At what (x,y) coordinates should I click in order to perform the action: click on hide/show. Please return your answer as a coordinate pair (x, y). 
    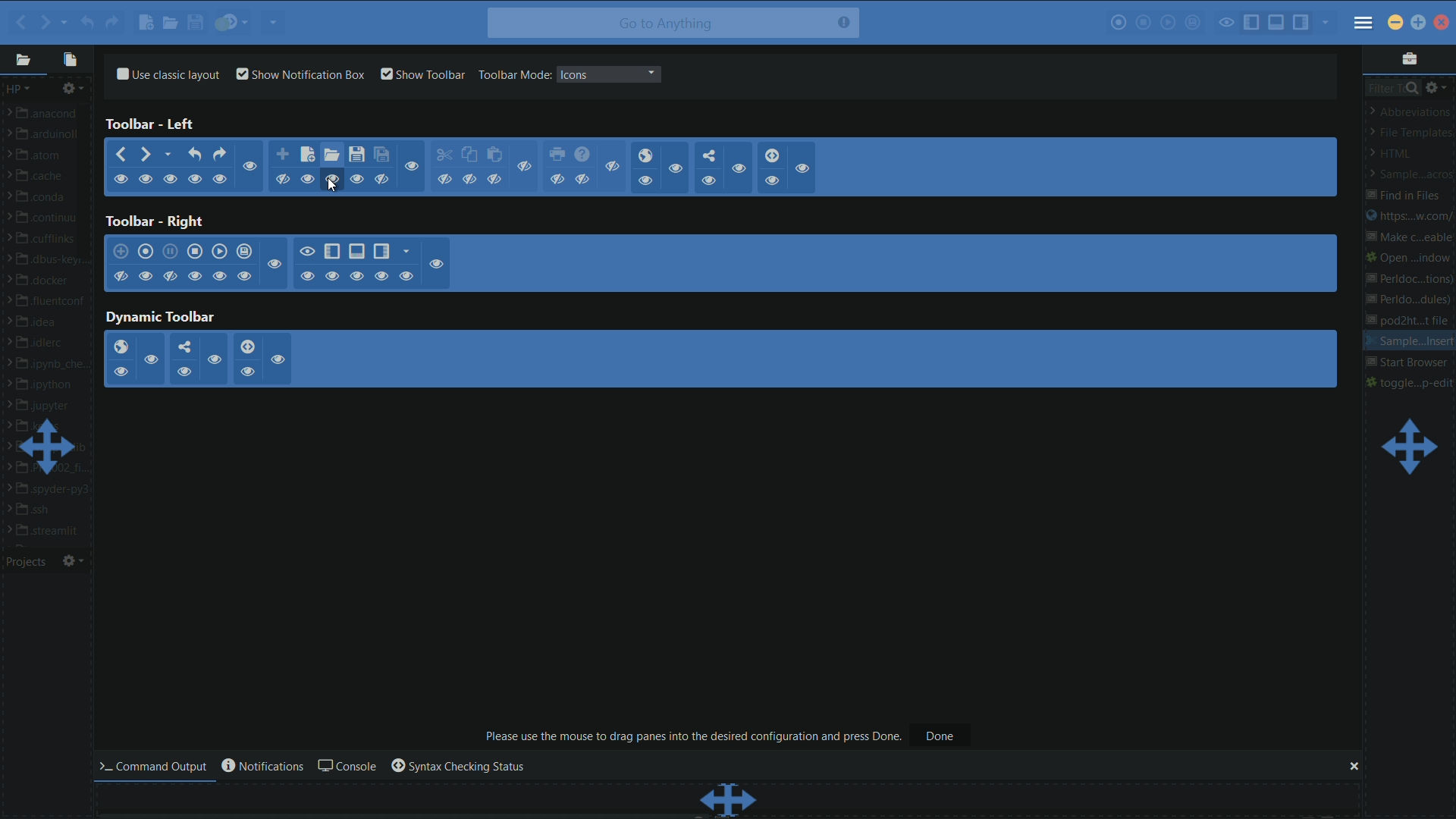
    Looking at the image, I should click on (214, 359).